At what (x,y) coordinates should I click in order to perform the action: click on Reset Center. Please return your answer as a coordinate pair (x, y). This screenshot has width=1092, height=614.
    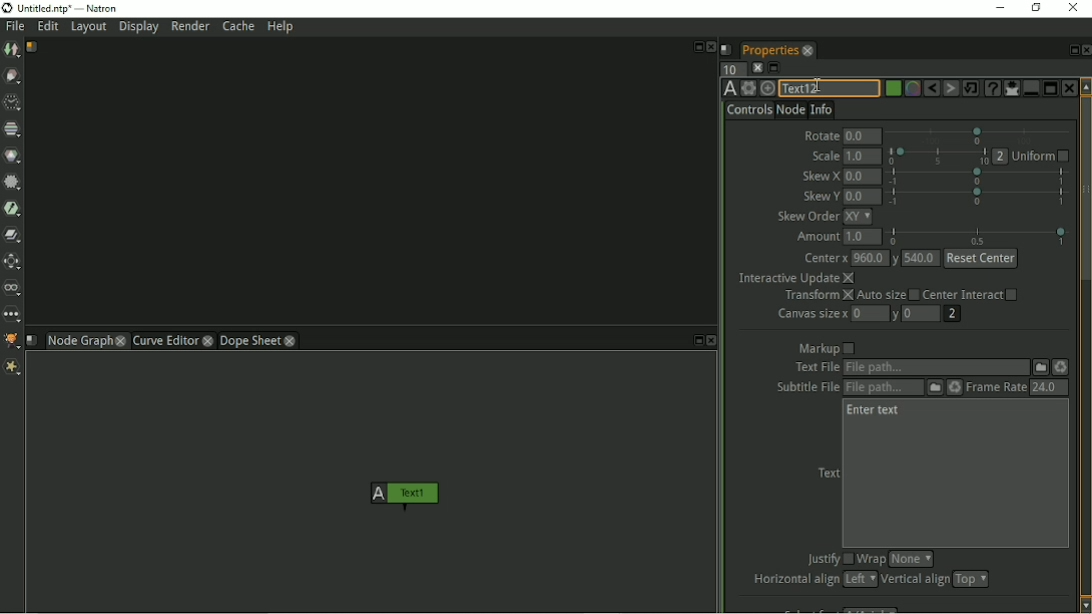
    Looking at the image, I should click on (982, 259).